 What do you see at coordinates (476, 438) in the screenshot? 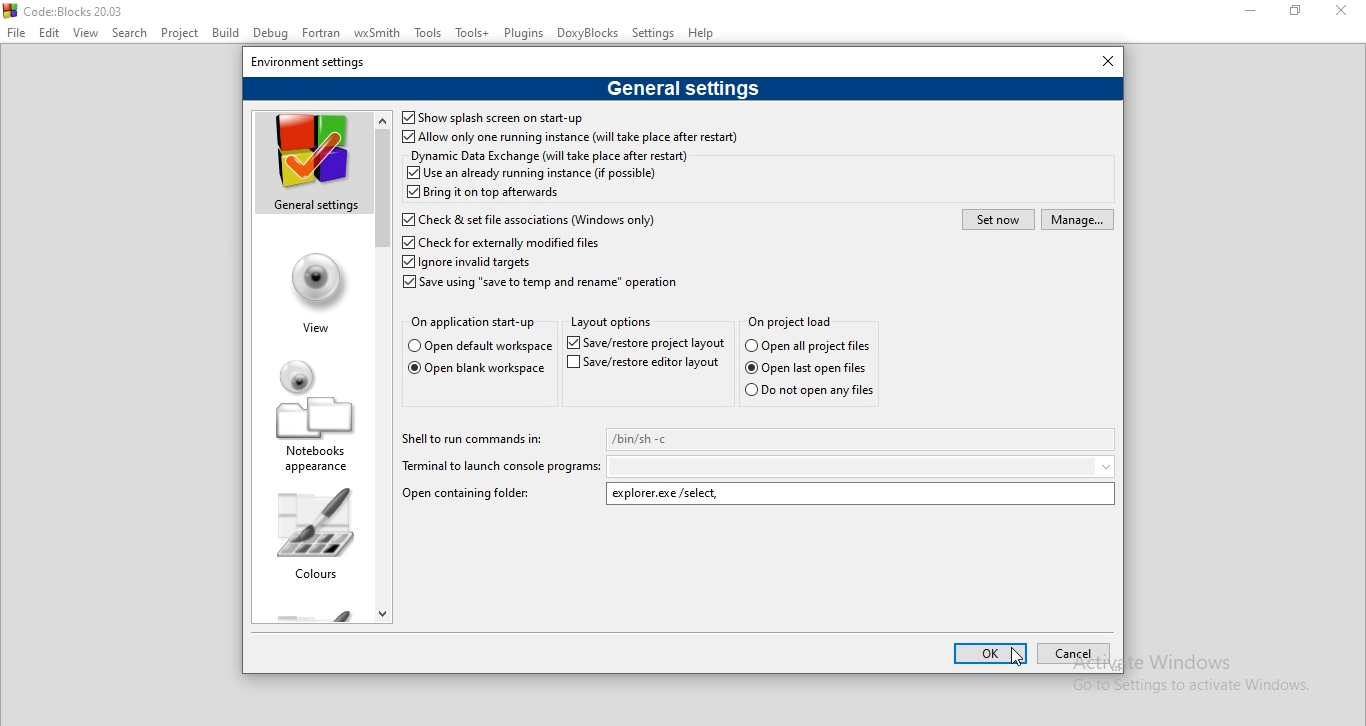
I see `Shell to run commands in` at bounding box center [476, 438].